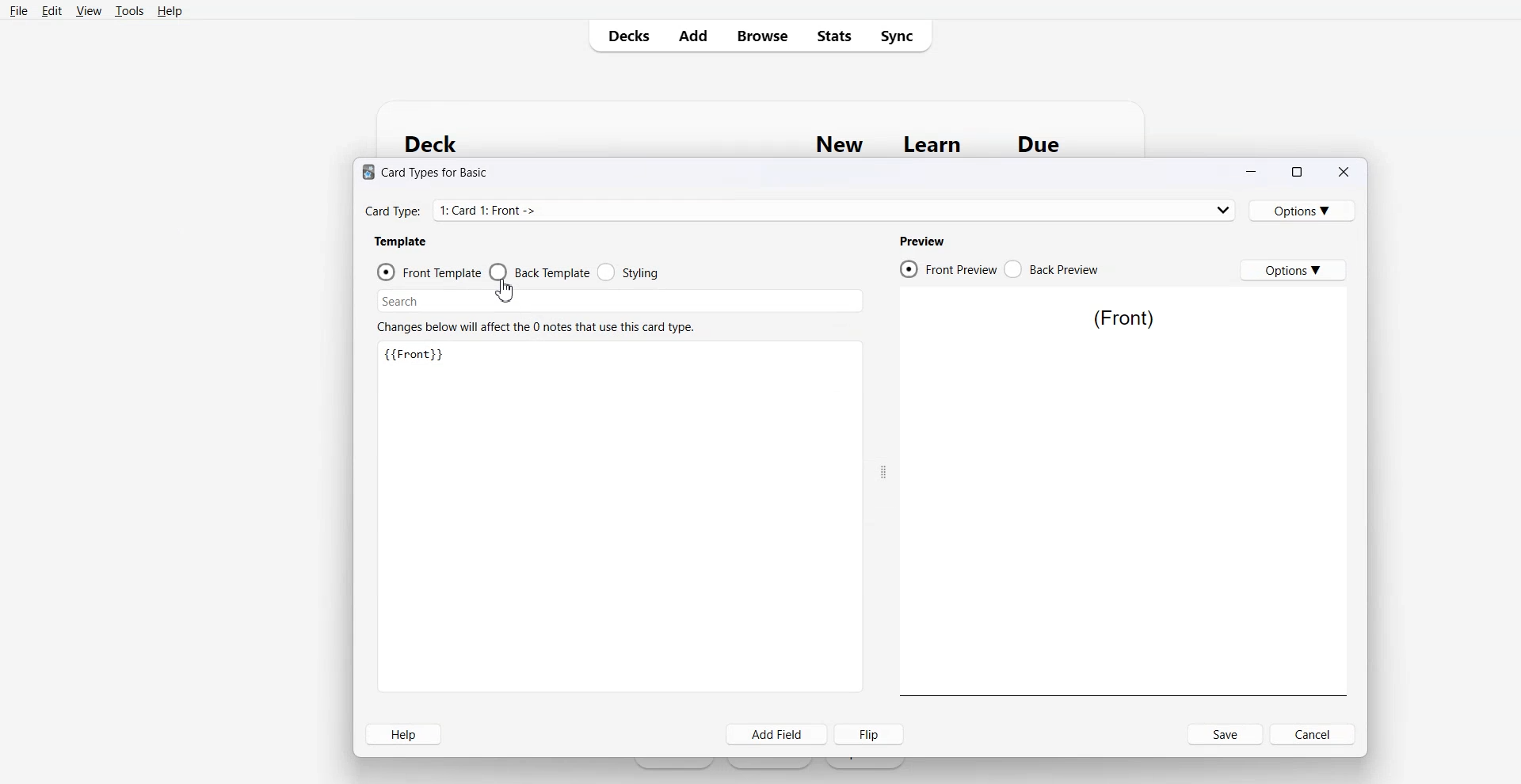  What do you see at coordinates (1293, 270) in the screenshot?
I see `Options` at bounding box center [1293, 270].